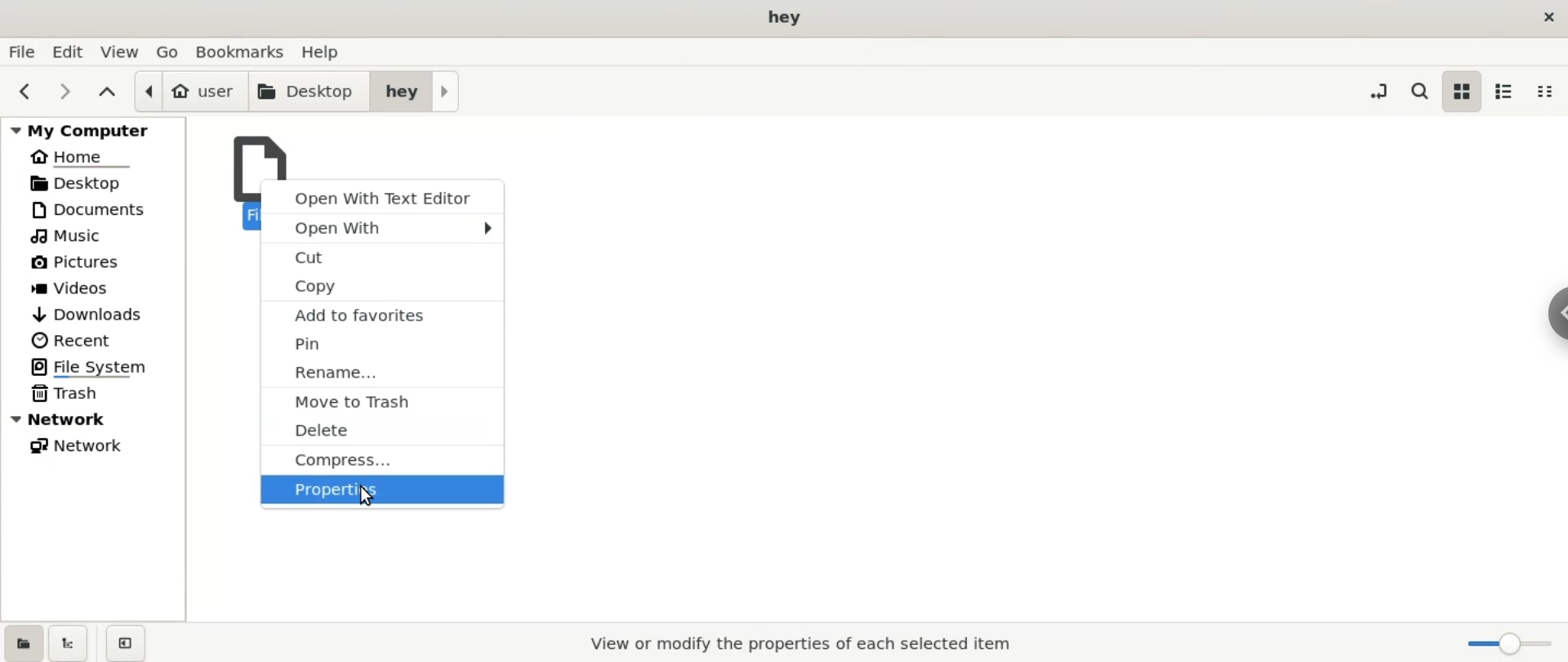  What do you see at coordinates (371, 497) in the screenshot?
I see `cursor` at bounding box center [371, 497].